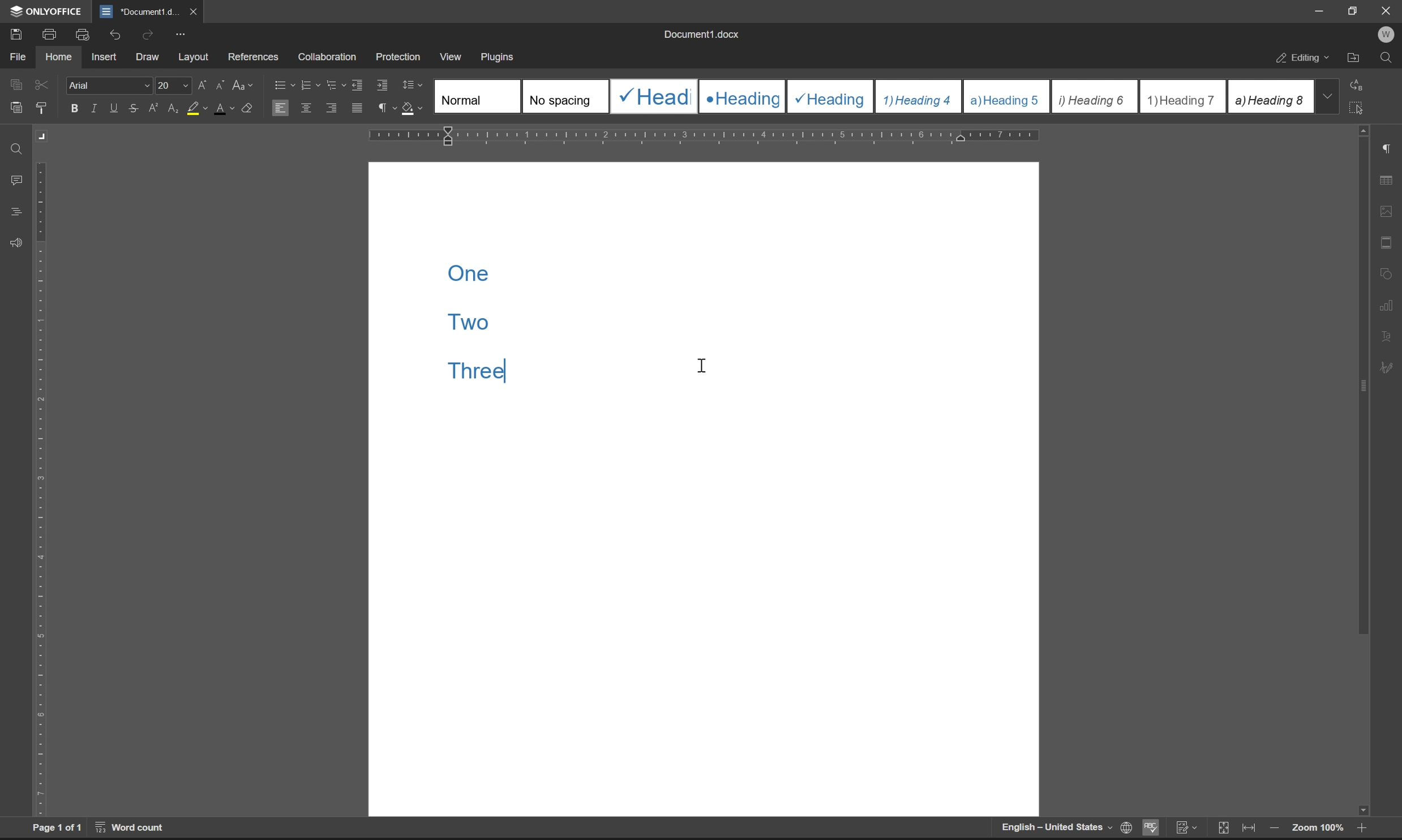 Image resolution: width=1402 pixels, height=840 pixels. What do you see at coordinates (12, 33) in the screenshot?
I see `save` at bounding box center [12, 33].